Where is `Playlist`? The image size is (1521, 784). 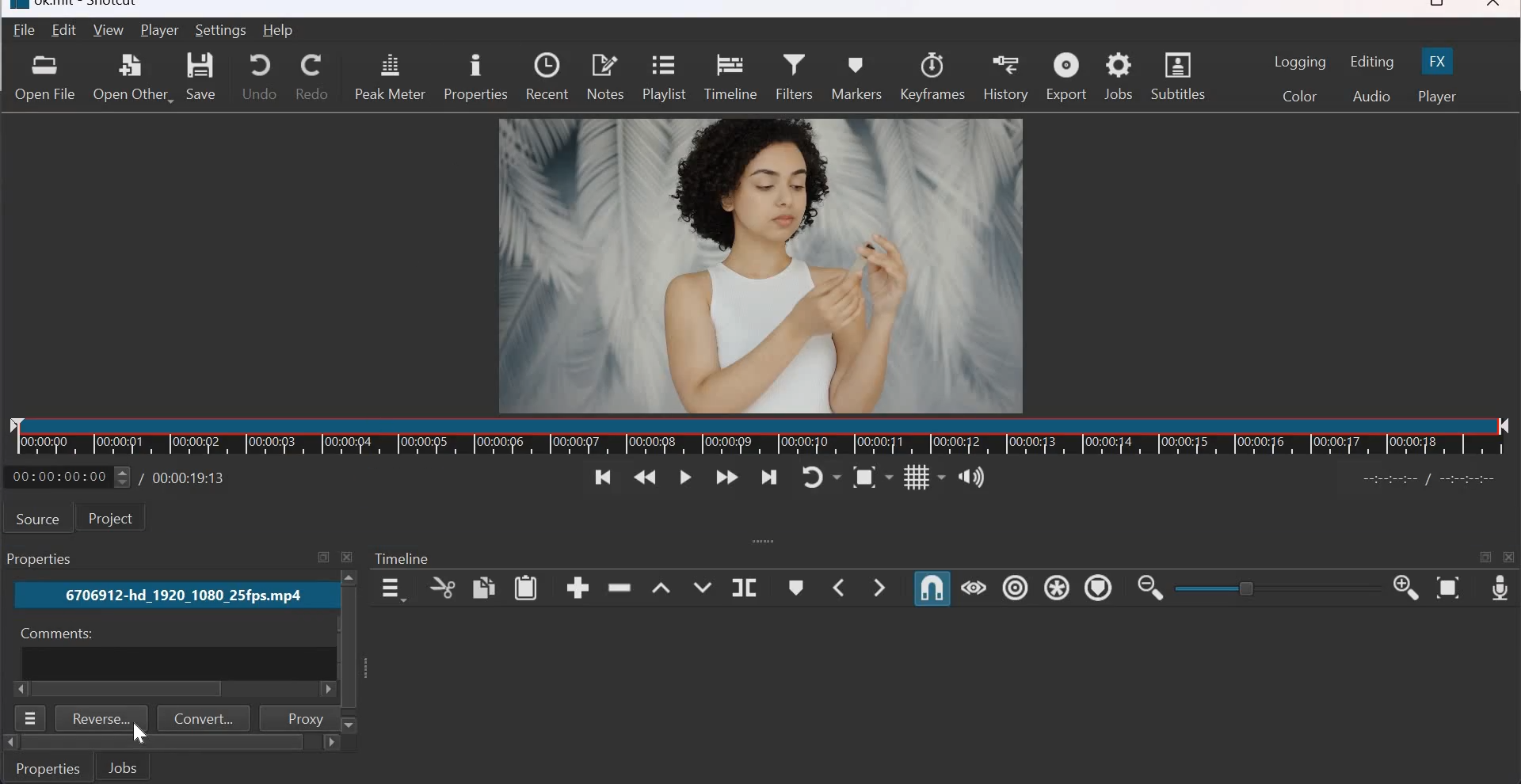
Playlist is located at coordinates (662, 79).